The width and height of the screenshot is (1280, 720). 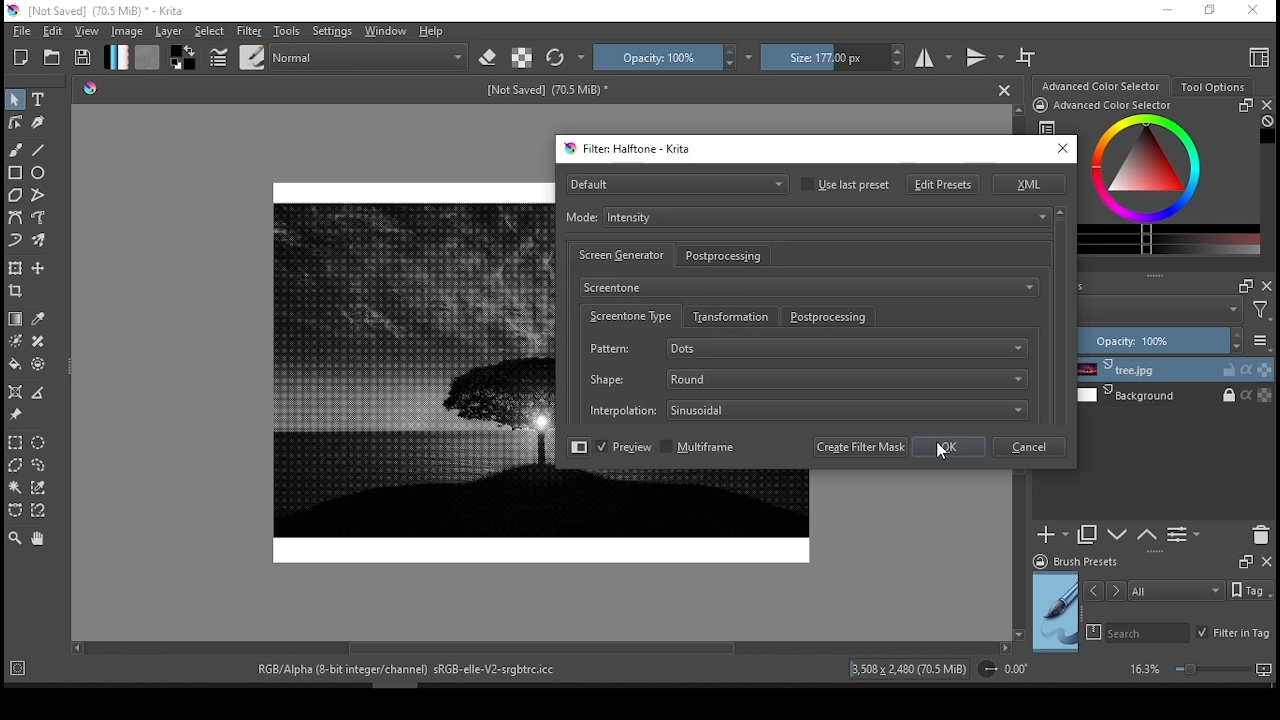 What do you see at coordinates (432, 32) in the screenshot?
I see `help` at bounding box center [432, 32].